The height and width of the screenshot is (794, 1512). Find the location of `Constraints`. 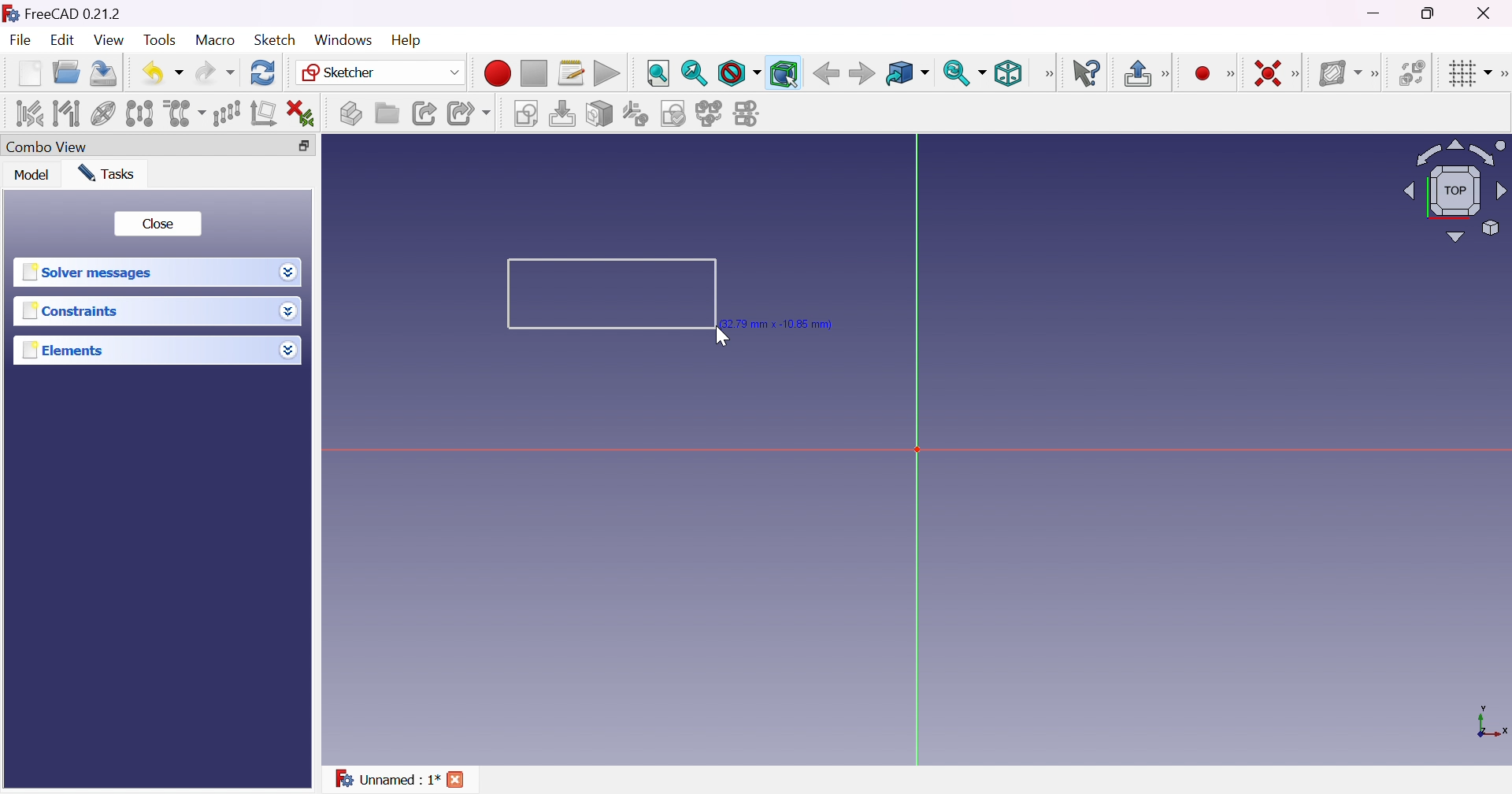

Constraints is located at coordinates (72, 310).